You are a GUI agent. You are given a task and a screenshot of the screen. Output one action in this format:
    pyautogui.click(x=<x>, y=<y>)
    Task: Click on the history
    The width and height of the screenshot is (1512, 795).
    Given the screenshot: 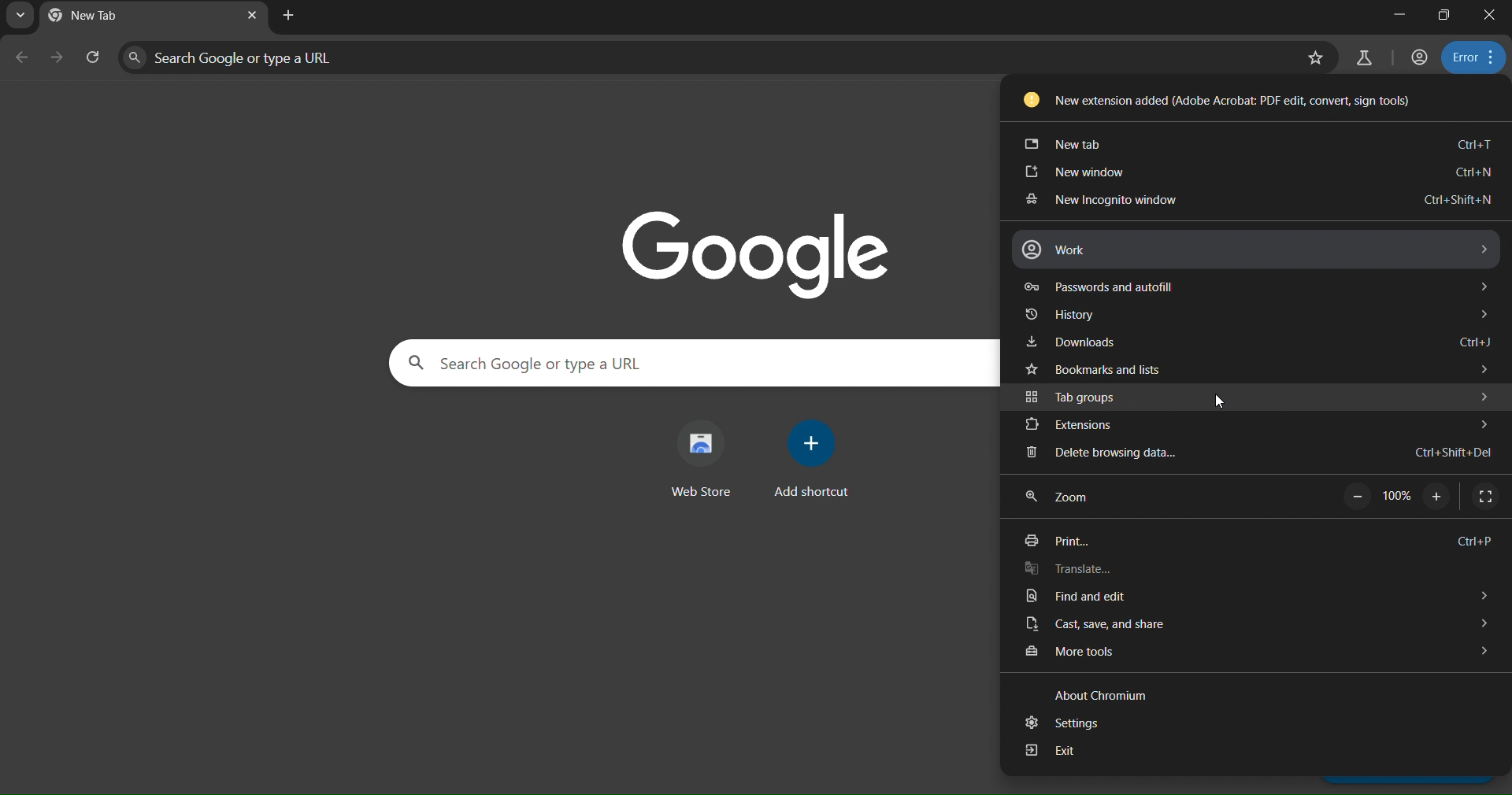 What is the action you would take?
    pyautogui.click(x=1258, y=312)
    